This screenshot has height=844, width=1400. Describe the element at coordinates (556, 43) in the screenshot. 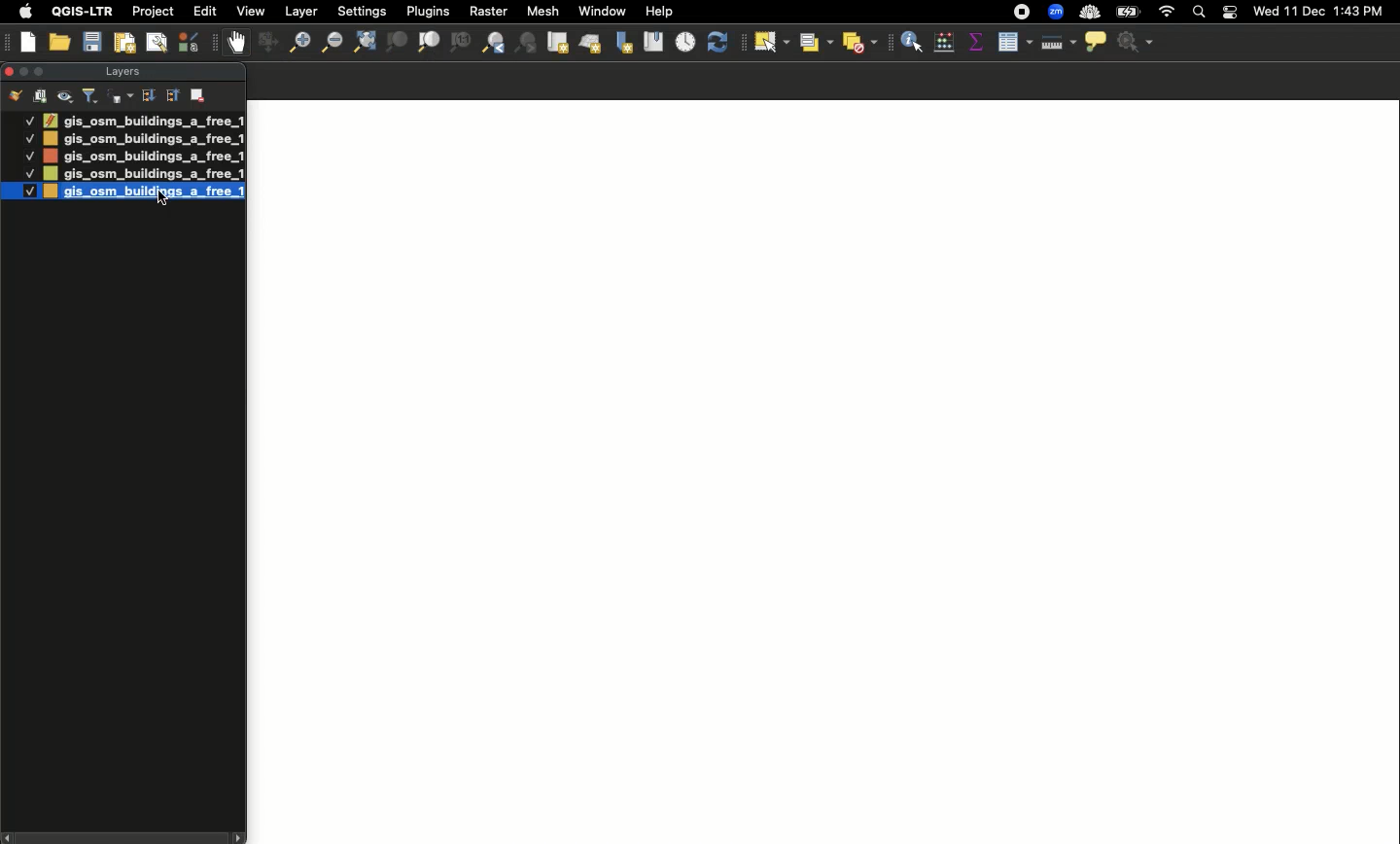

I see `New map view` at that location.